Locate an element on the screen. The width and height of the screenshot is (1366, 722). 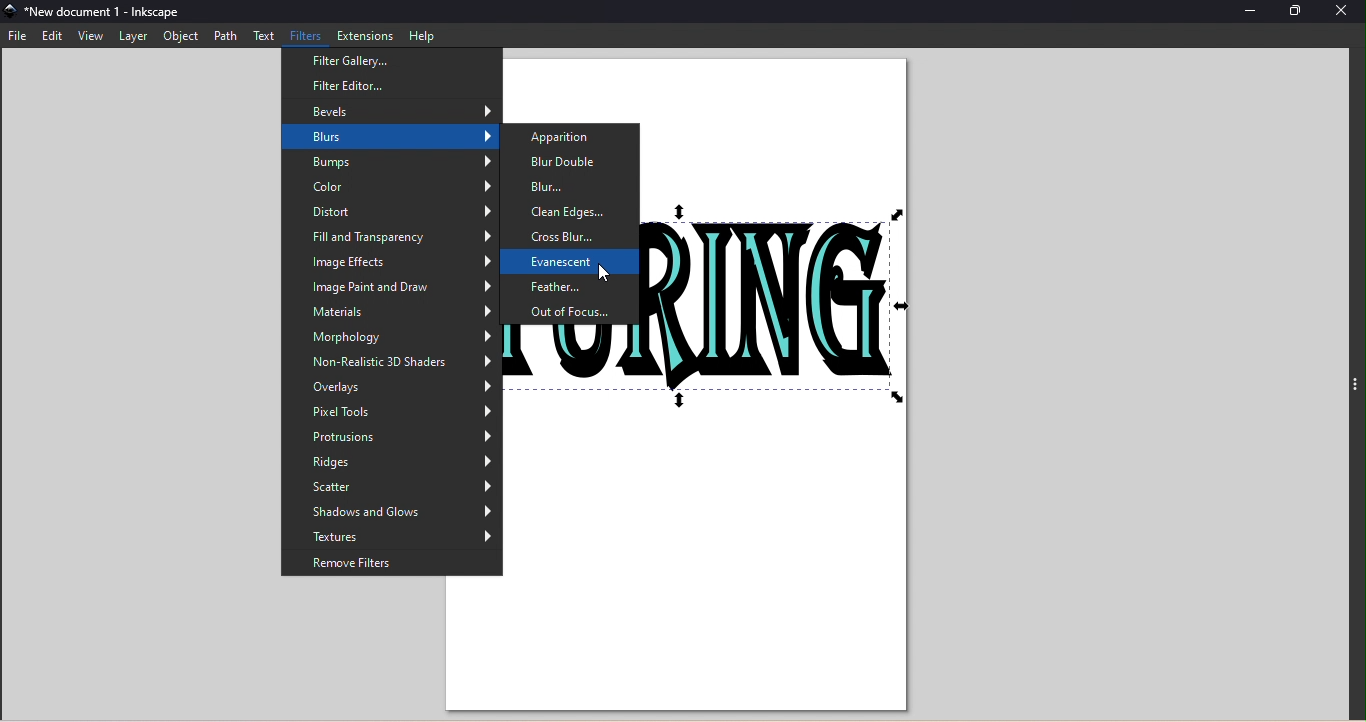
Extensions is located at coordinates (364, 34).